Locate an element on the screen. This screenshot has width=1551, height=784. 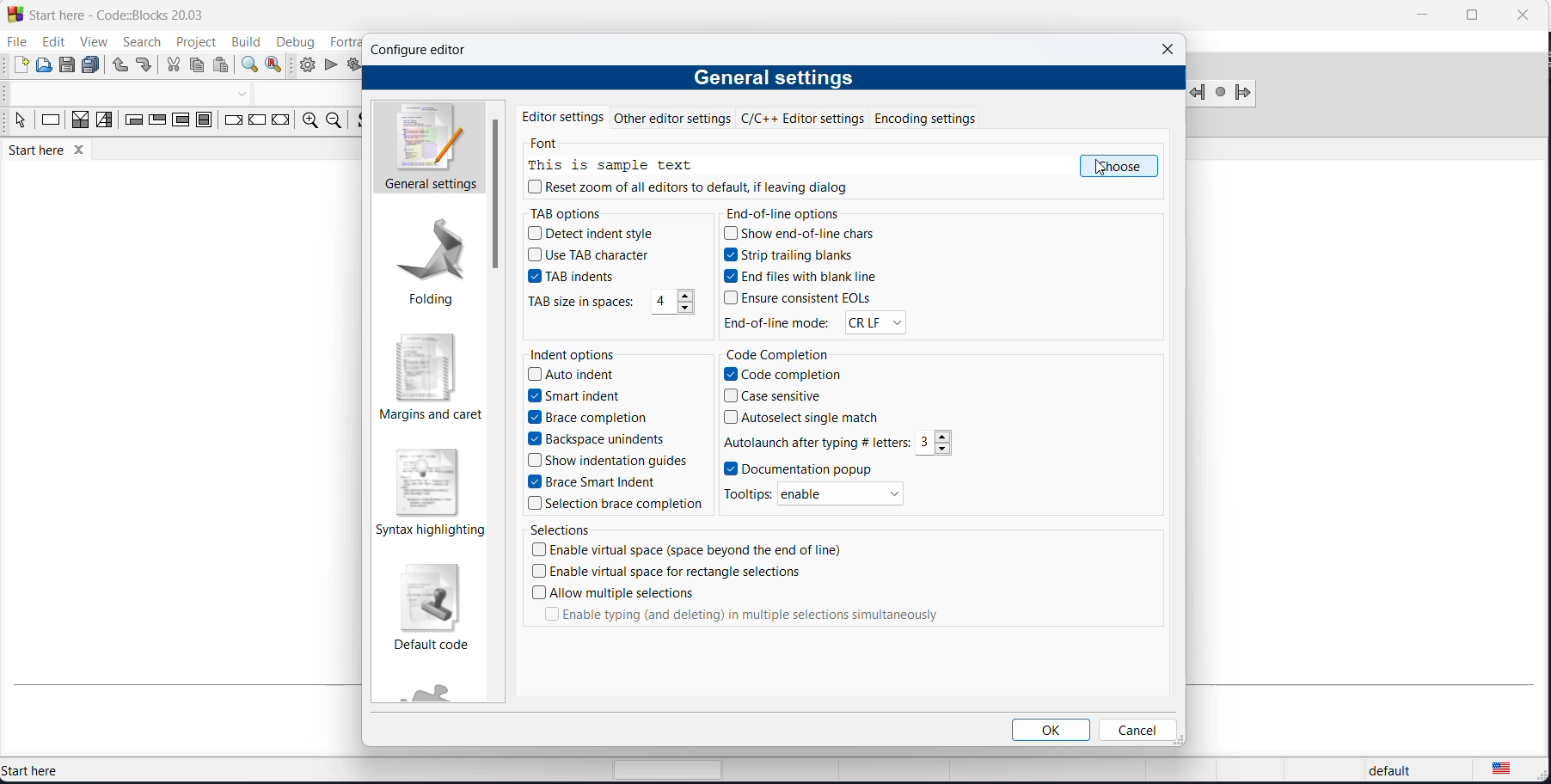
increment  is located at coordinates (946, 436).